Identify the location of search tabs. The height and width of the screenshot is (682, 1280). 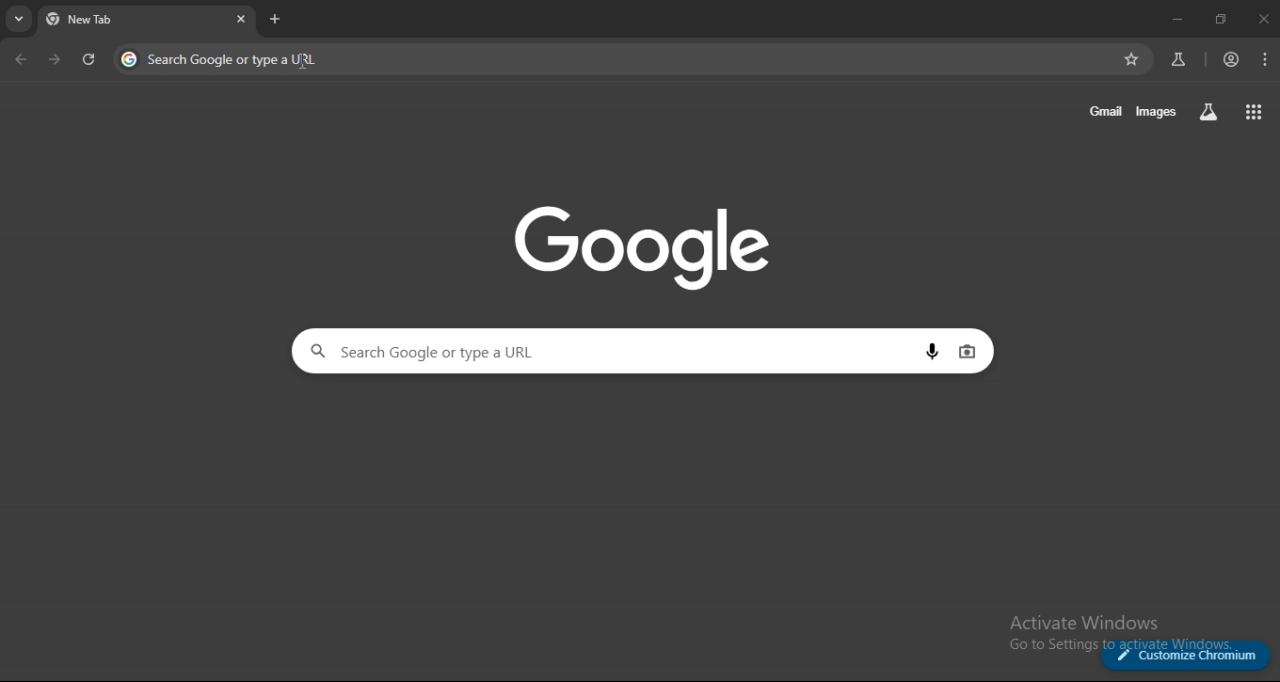
(20, 19).